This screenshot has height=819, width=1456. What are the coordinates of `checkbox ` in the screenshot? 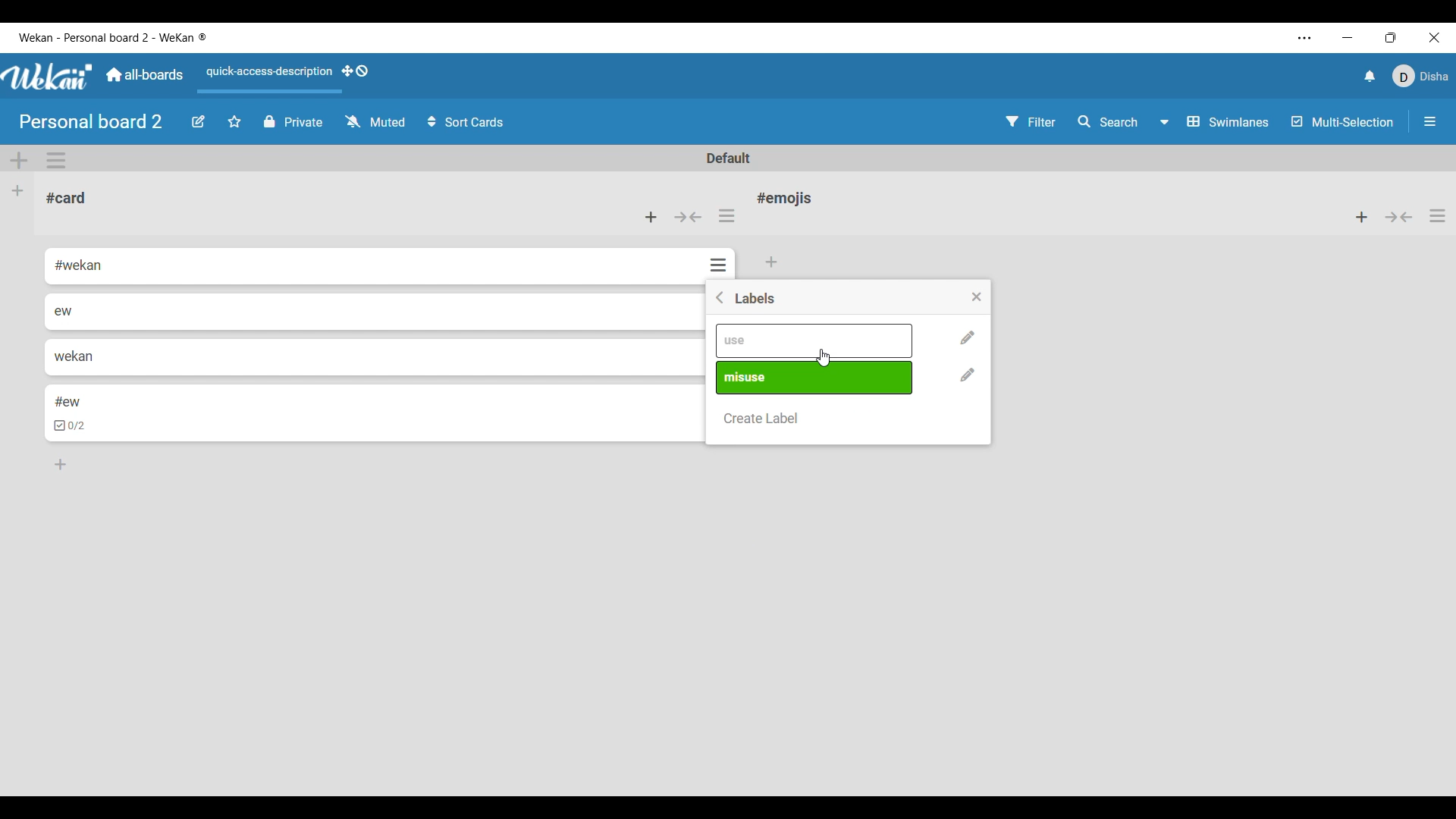 It's located at (71, 426).